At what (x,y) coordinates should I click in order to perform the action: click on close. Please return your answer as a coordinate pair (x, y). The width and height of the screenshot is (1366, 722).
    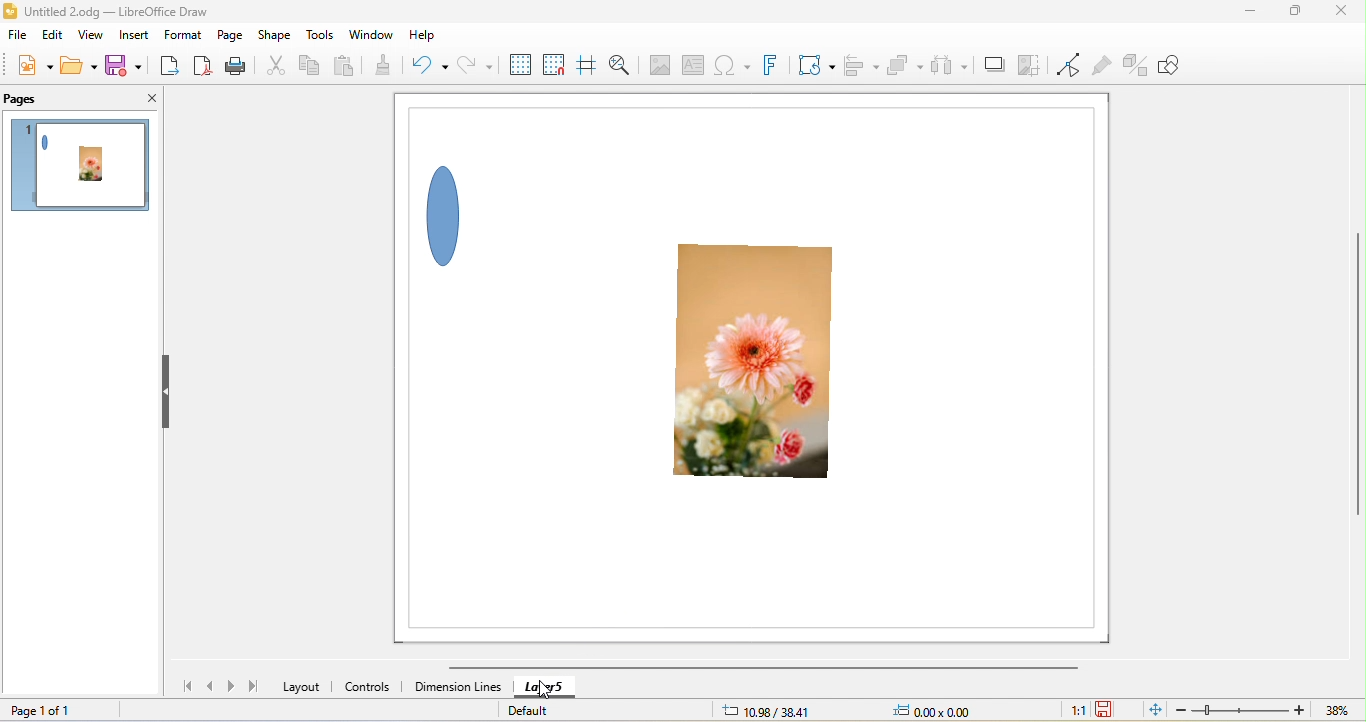
    Looking at the image, I should click on (149, 99).